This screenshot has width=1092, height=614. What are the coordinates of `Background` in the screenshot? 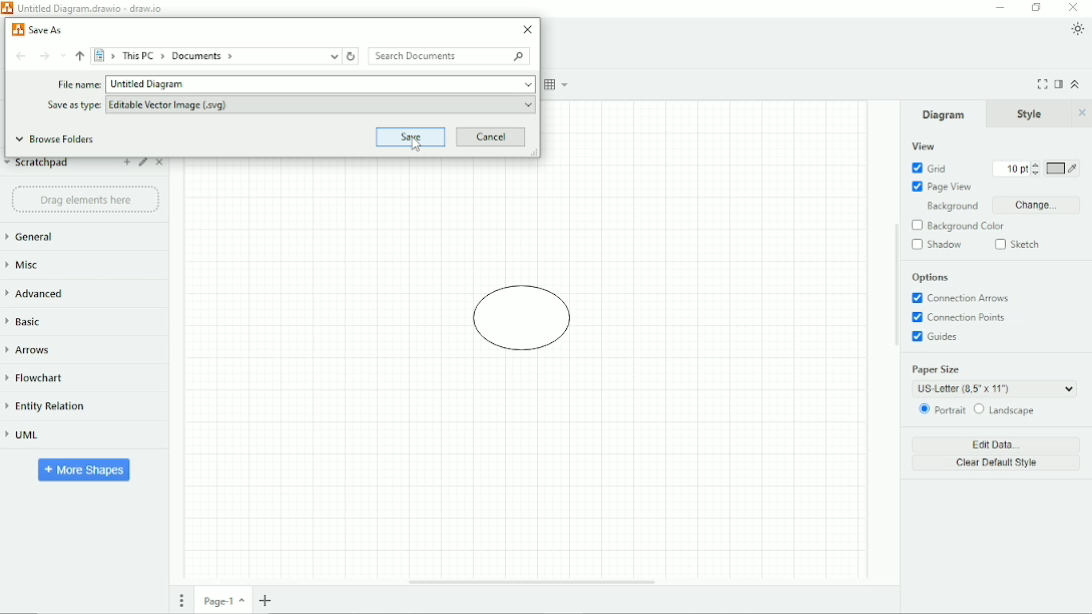 It's located at (952, 206).